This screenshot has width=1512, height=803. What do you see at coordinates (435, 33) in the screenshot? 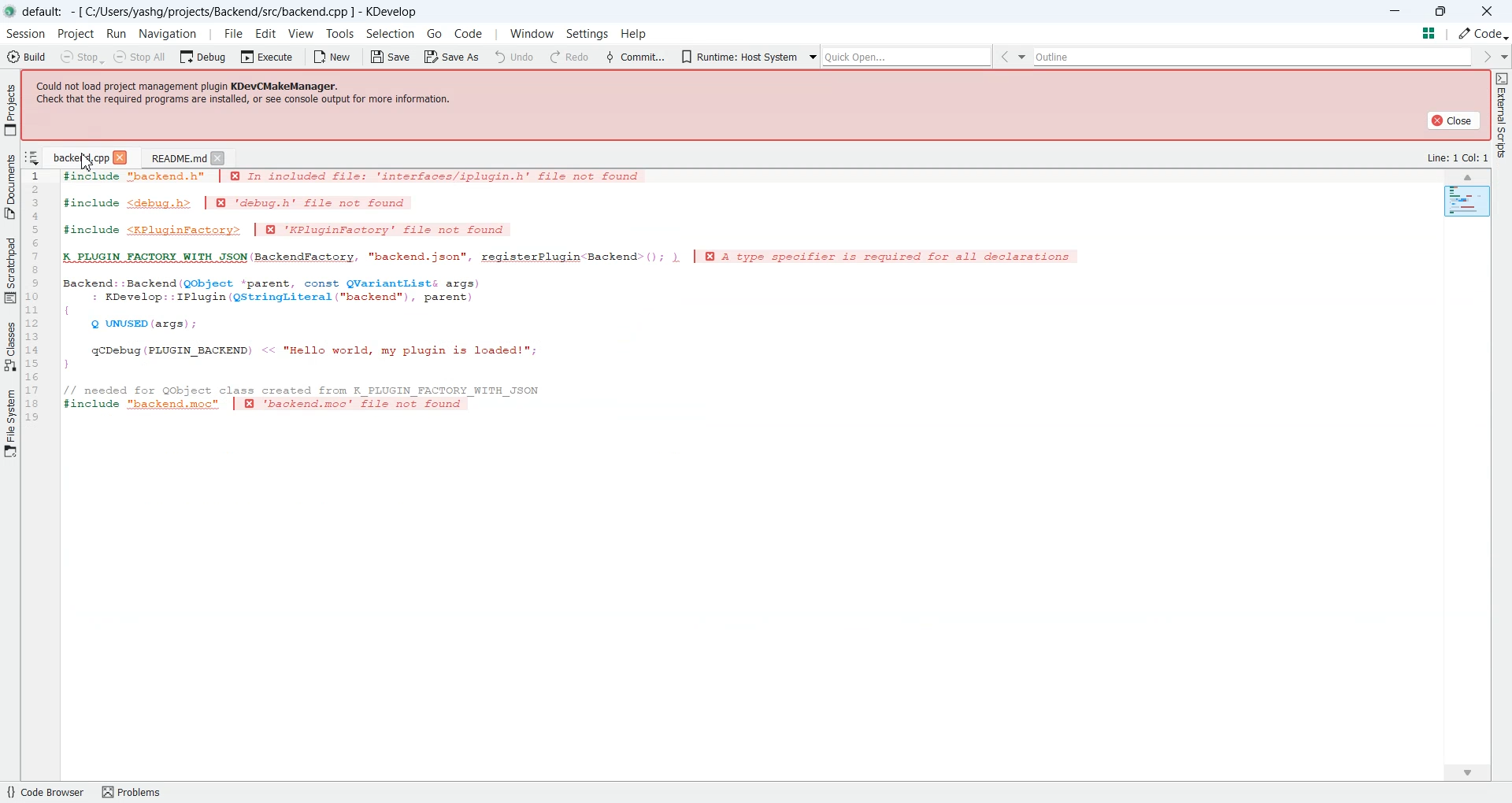
I see `go` at bounding box center [435, 33].